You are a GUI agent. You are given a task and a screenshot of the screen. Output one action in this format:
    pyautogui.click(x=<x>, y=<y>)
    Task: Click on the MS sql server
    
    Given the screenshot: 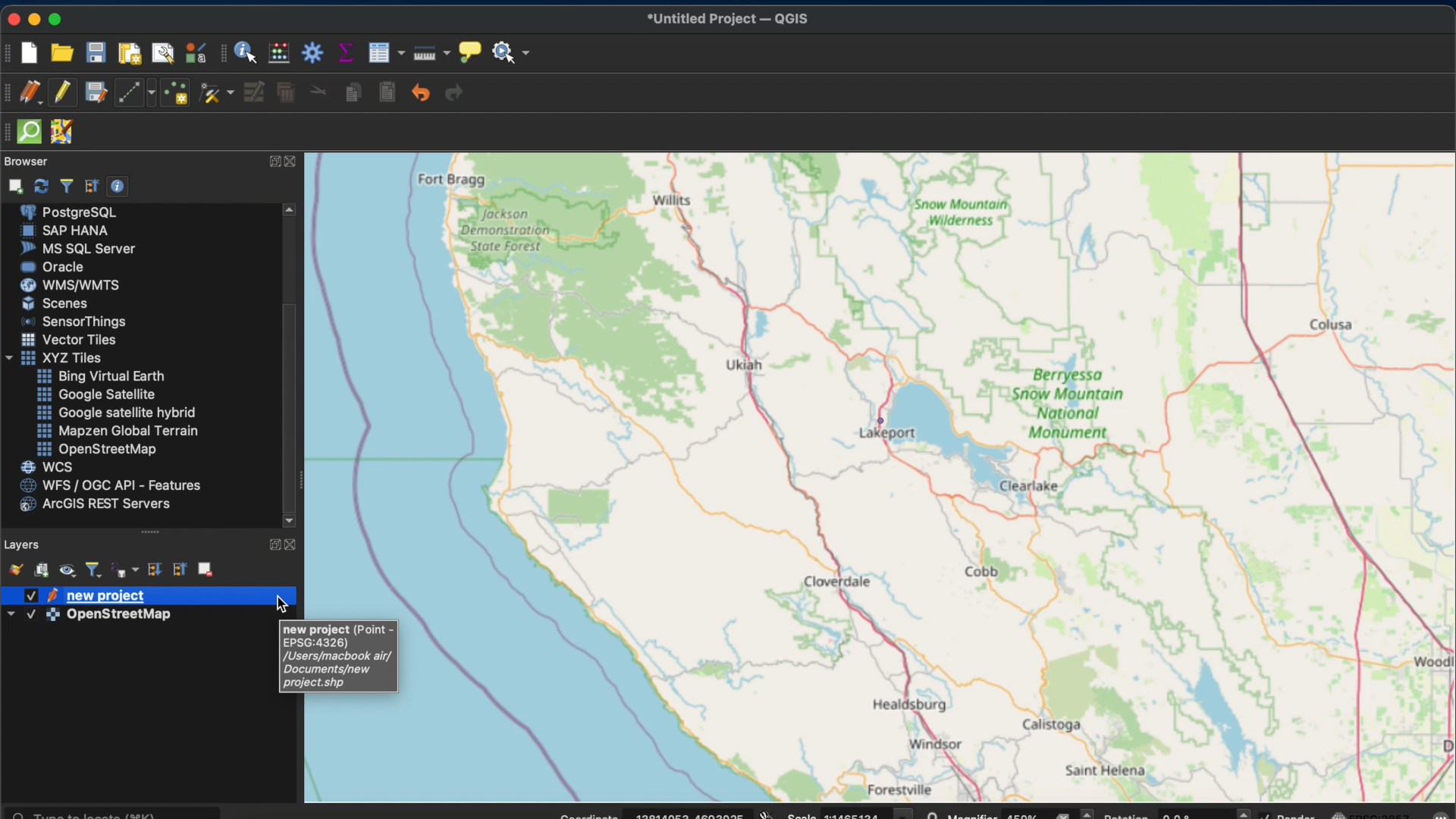 What is the action you would take?
    pyautogui.click(x=77, y=248)
    